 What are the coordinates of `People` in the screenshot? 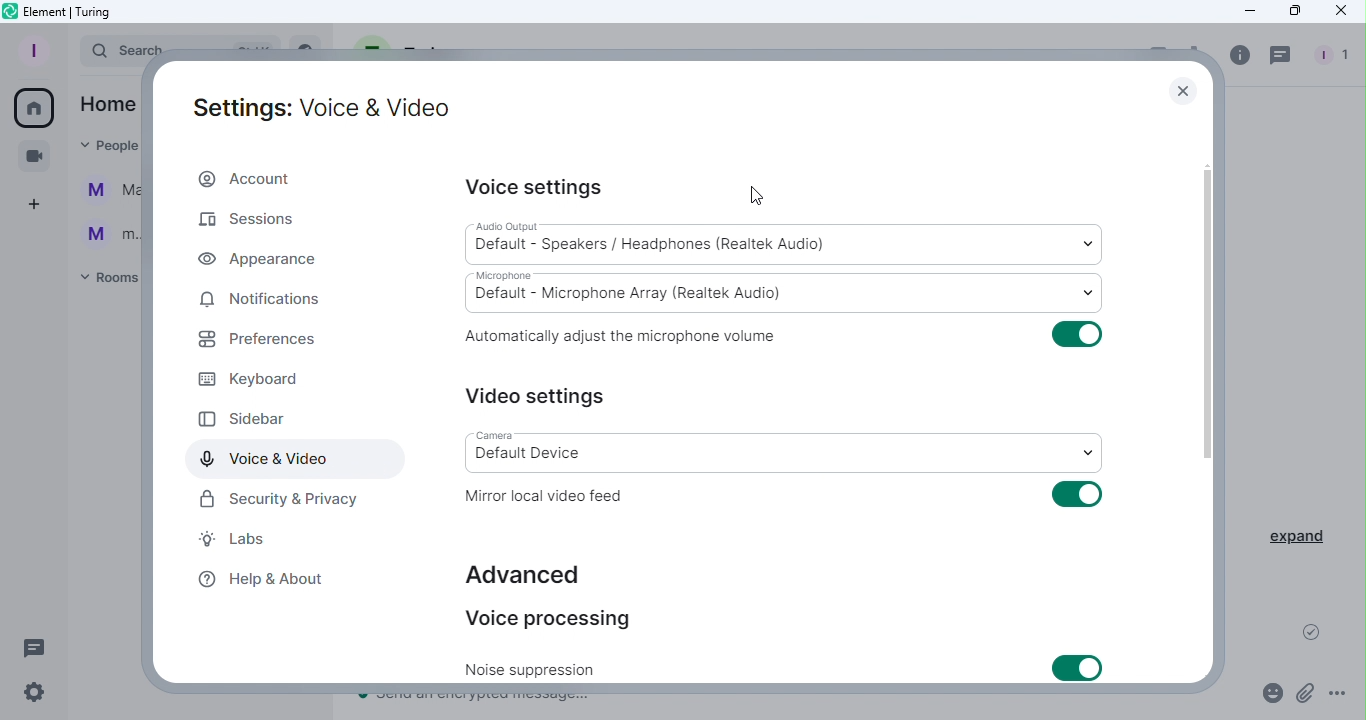 It's located at (114, 145).